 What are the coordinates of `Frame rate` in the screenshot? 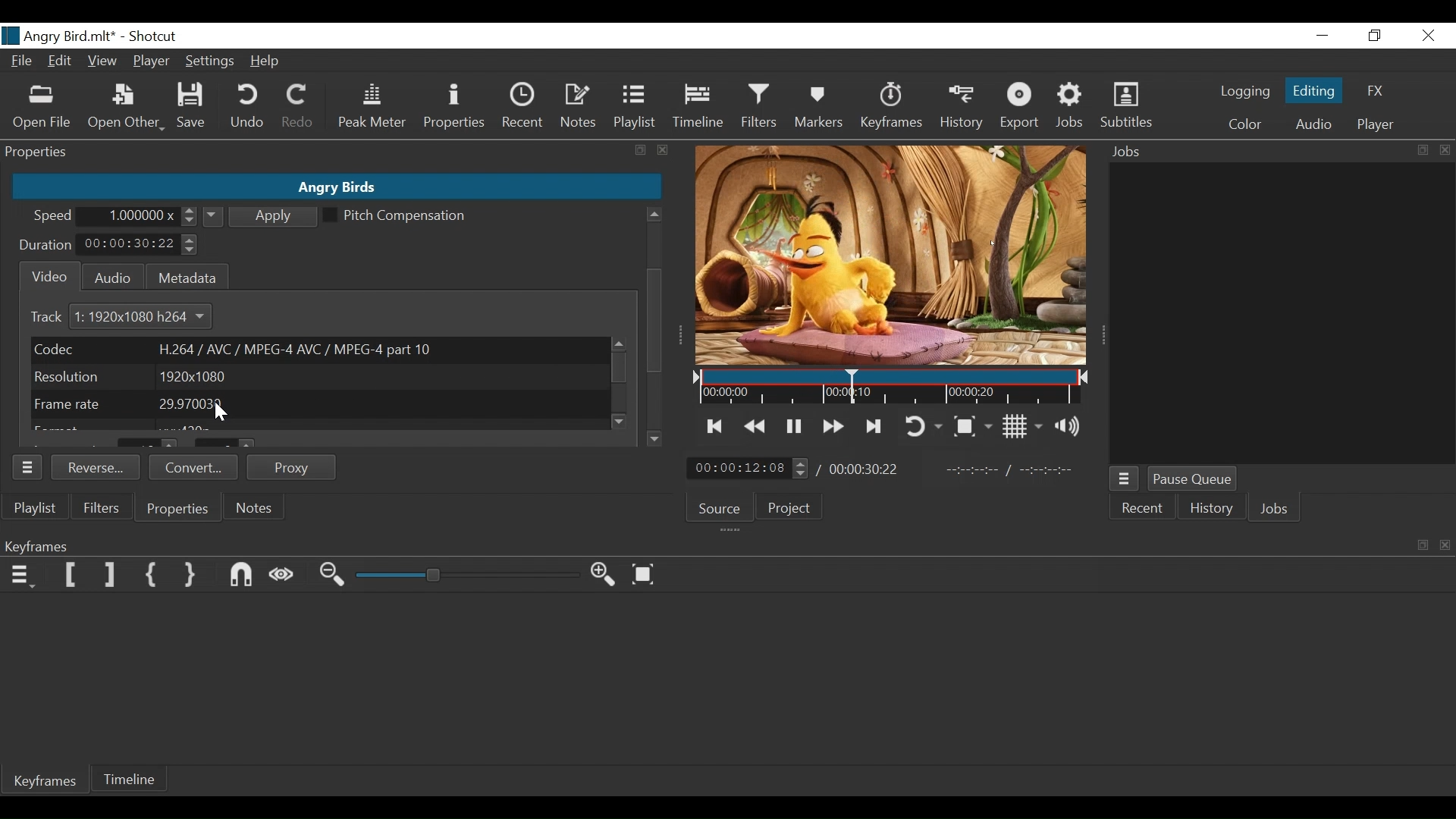 It's located at (319, 404).